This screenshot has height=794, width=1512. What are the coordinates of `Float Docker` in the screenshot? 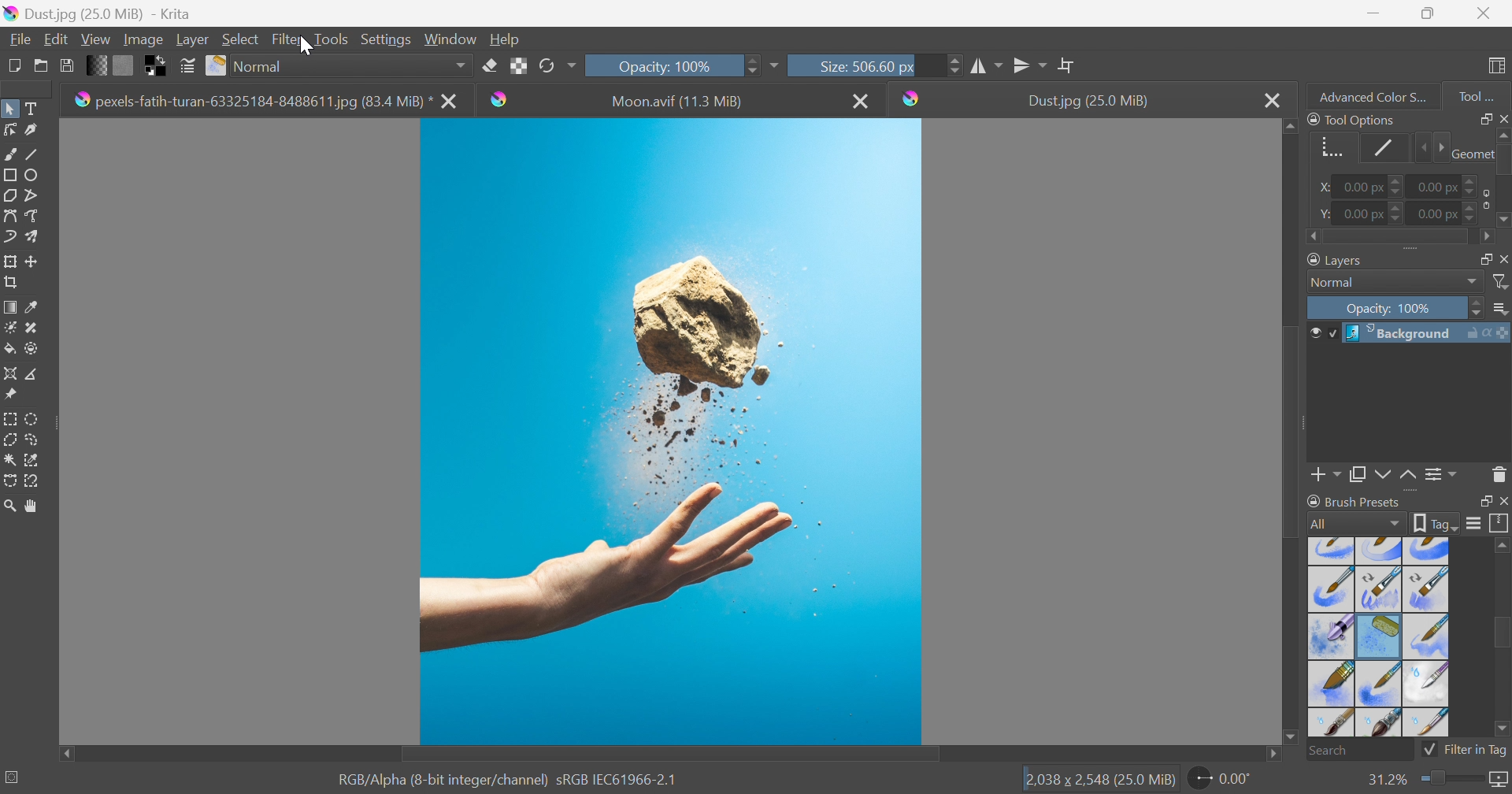 It's located at (1483, 502).